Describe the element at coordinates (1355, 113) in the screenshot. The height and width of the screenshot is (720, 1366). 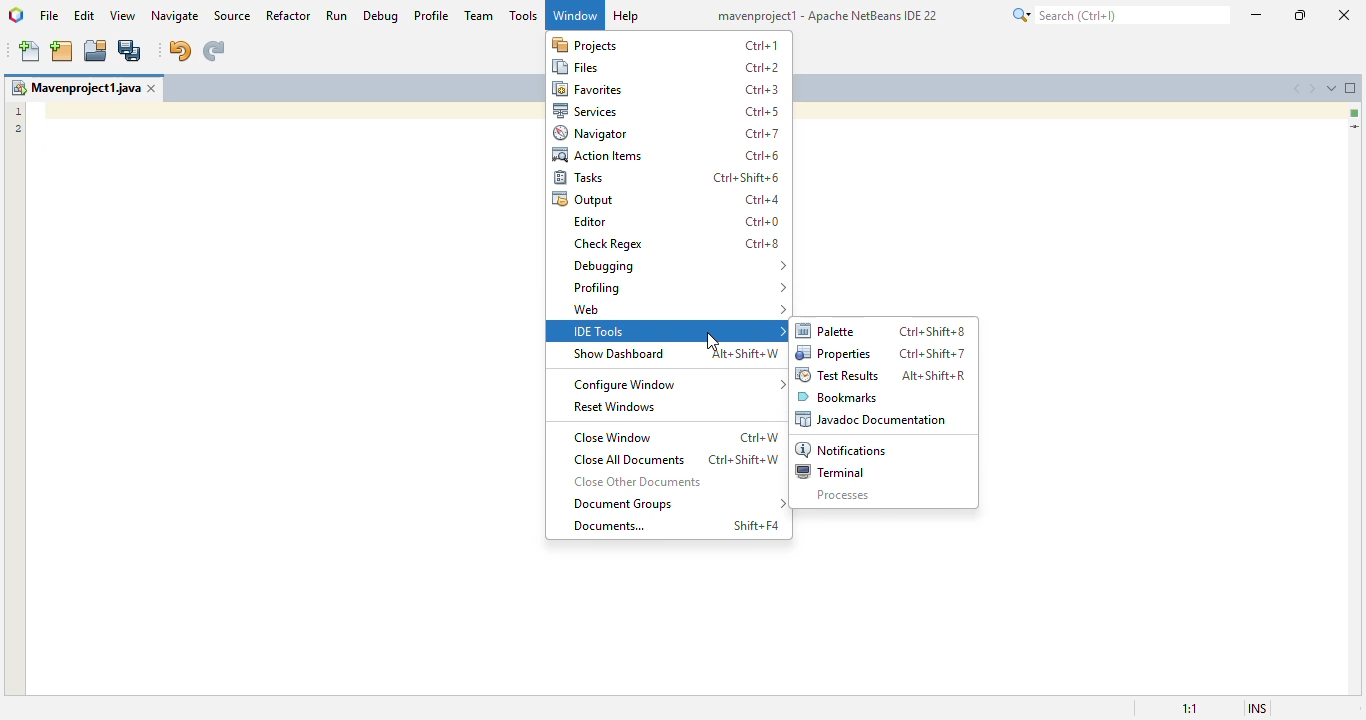
I see `no errors` at that location.